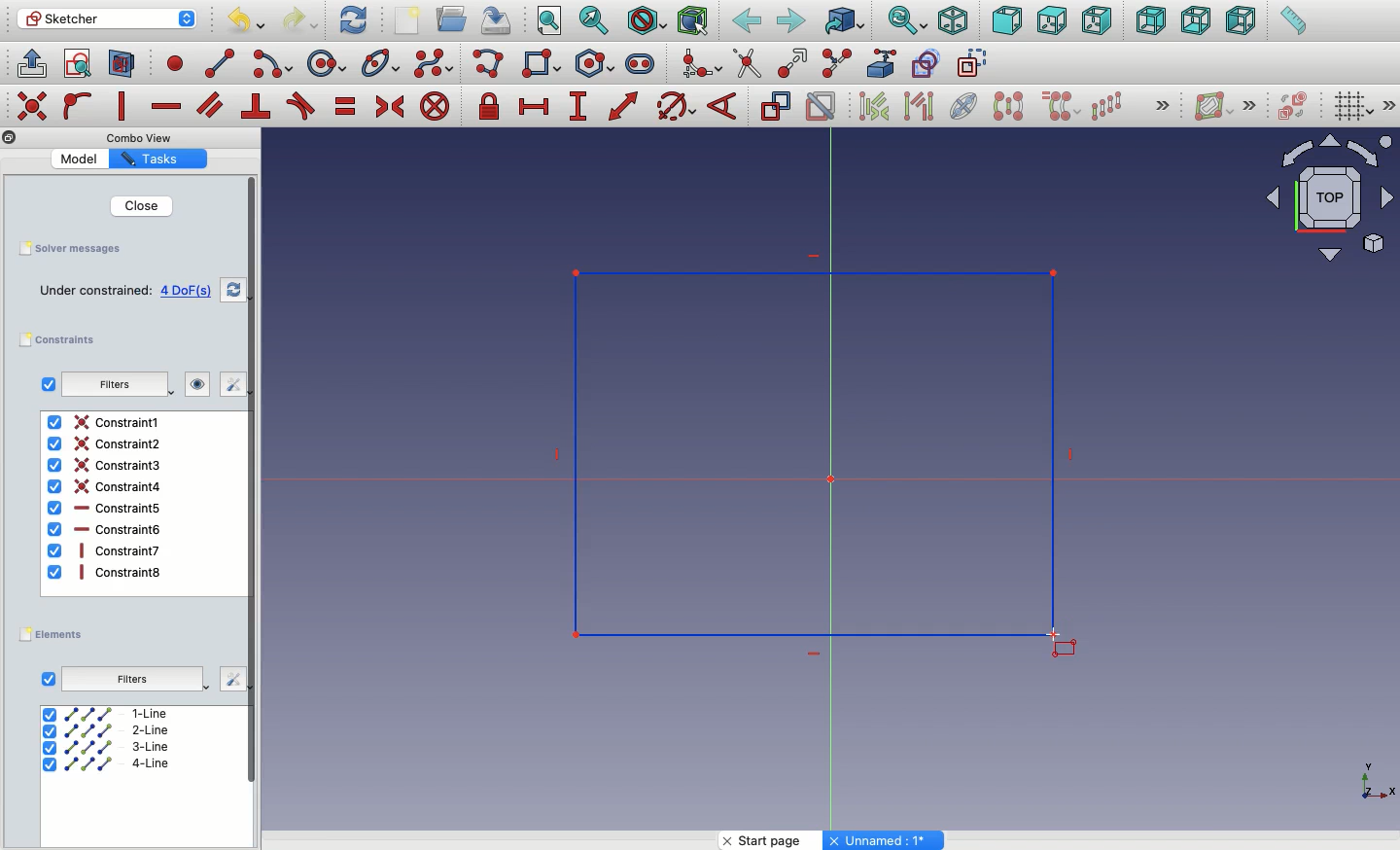  Describe the element at coordinates (494, 18) in the screenshot. I see `Save` at that location.